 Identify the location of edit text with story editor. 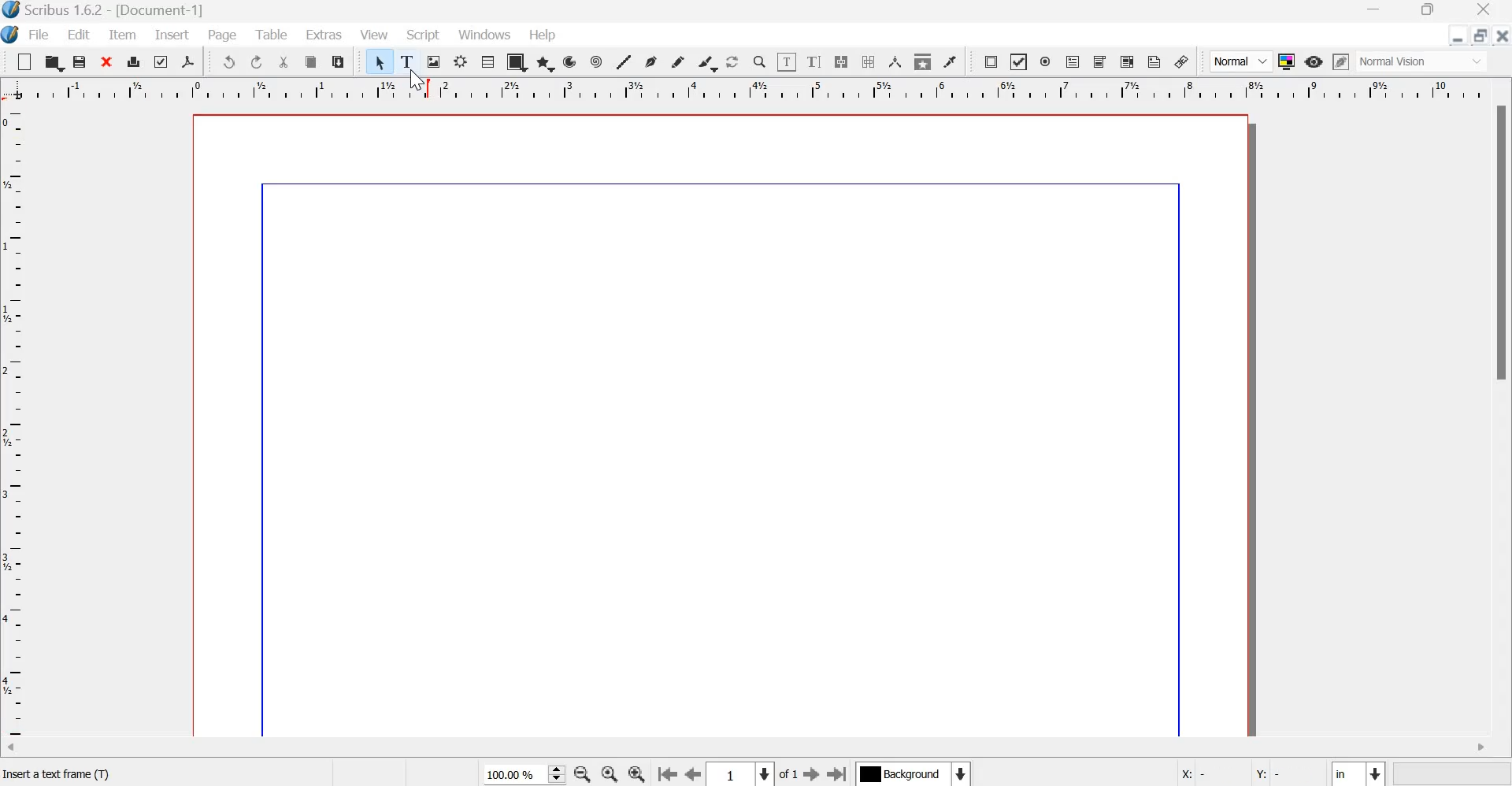
(814, 61).